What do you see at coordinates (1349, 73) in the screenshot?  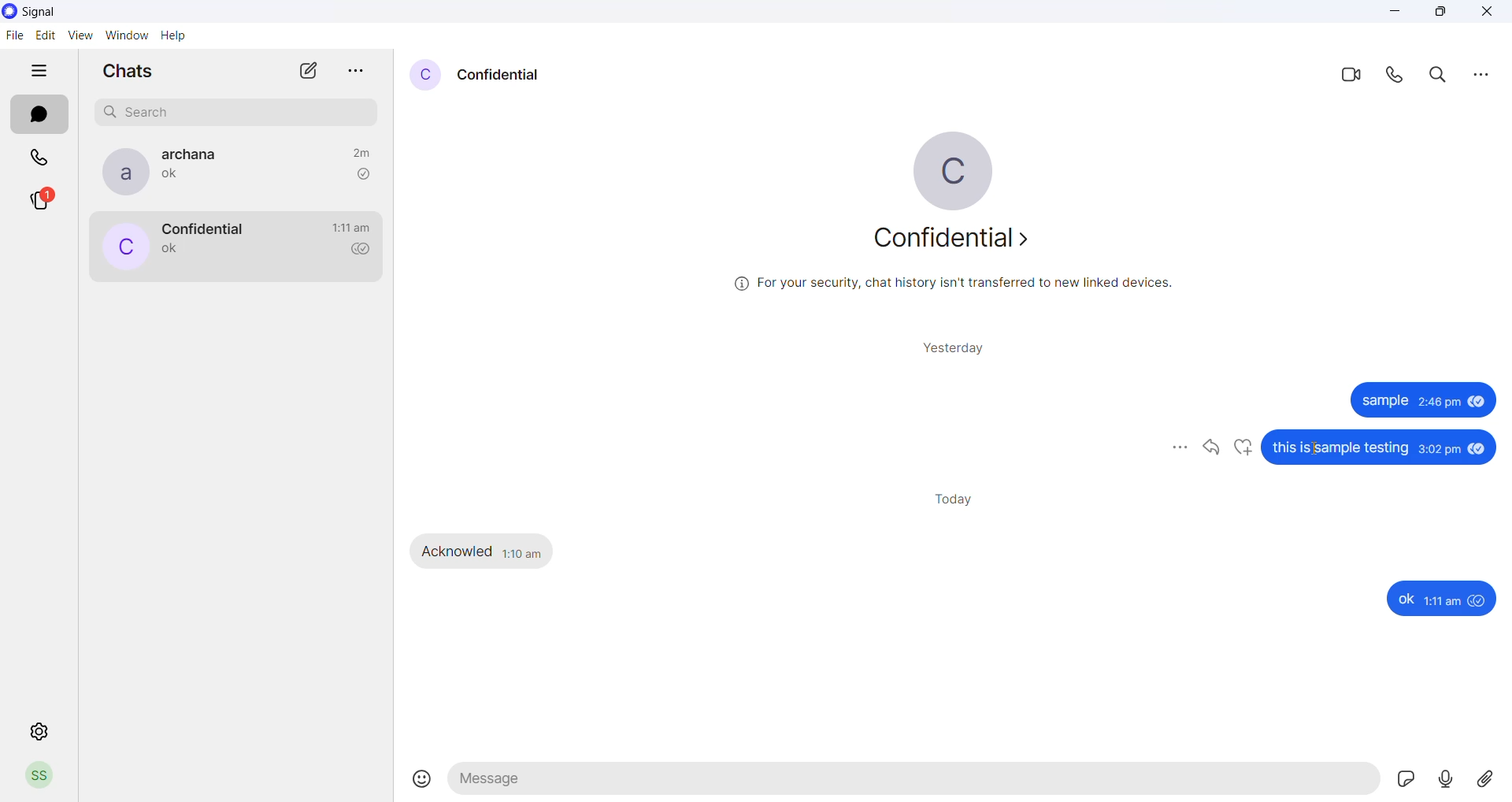 I see `video call` at bounding box center [1349, 73].